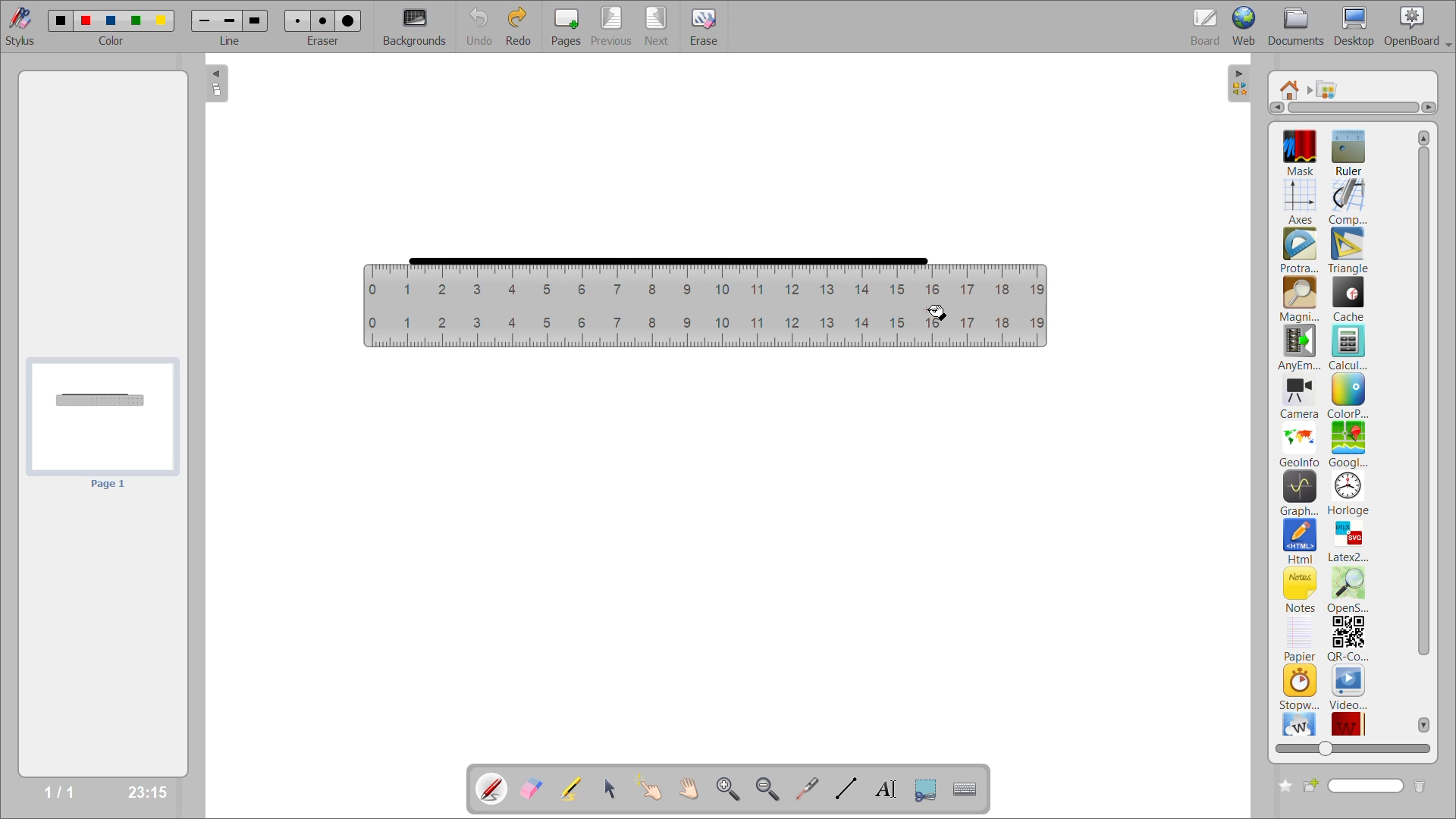  I want to click on eraser, so click(324, 40).